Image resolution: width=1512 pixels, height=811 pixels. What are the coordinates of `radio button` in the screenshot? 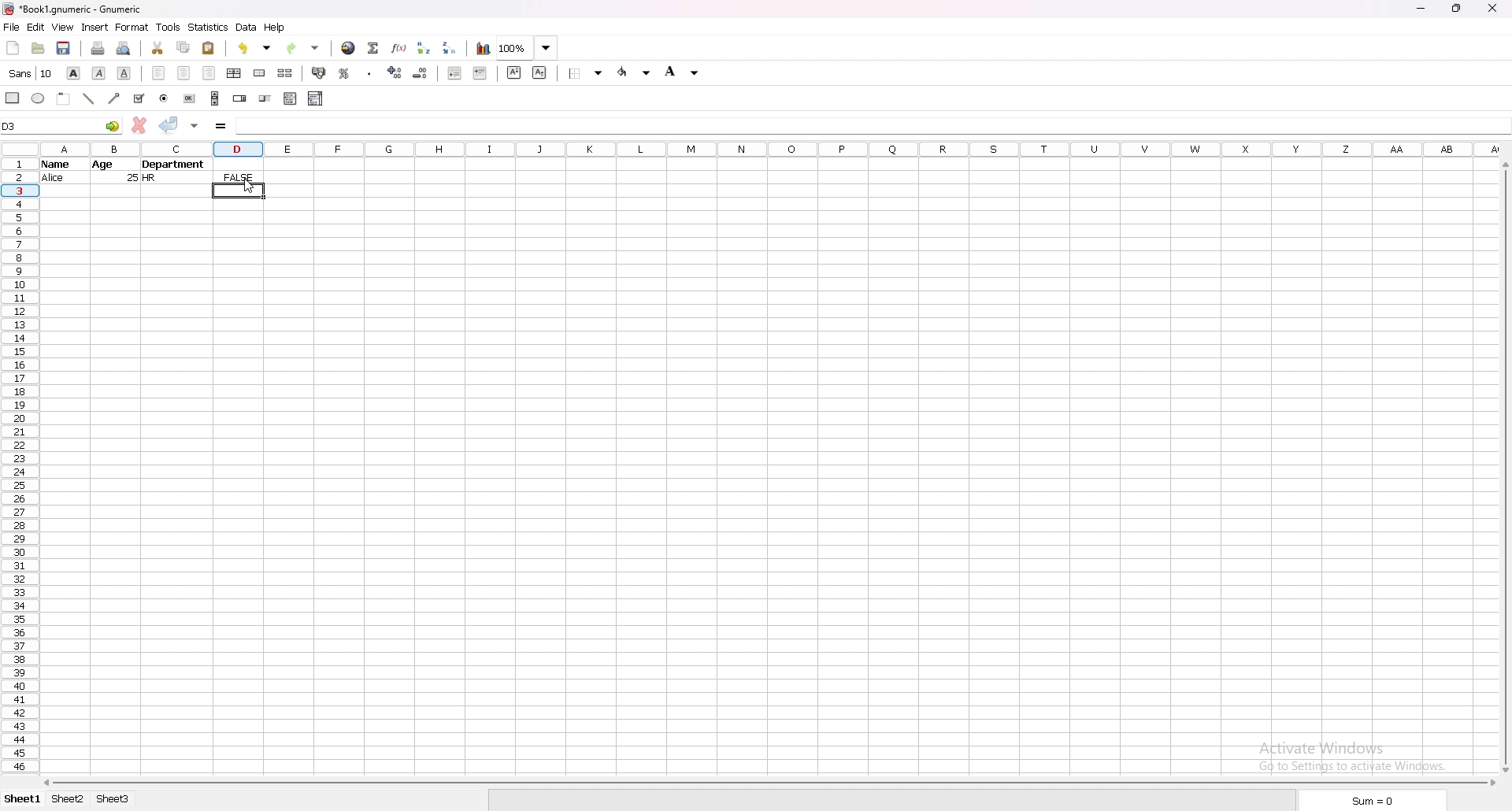 It's located at (164, 98).